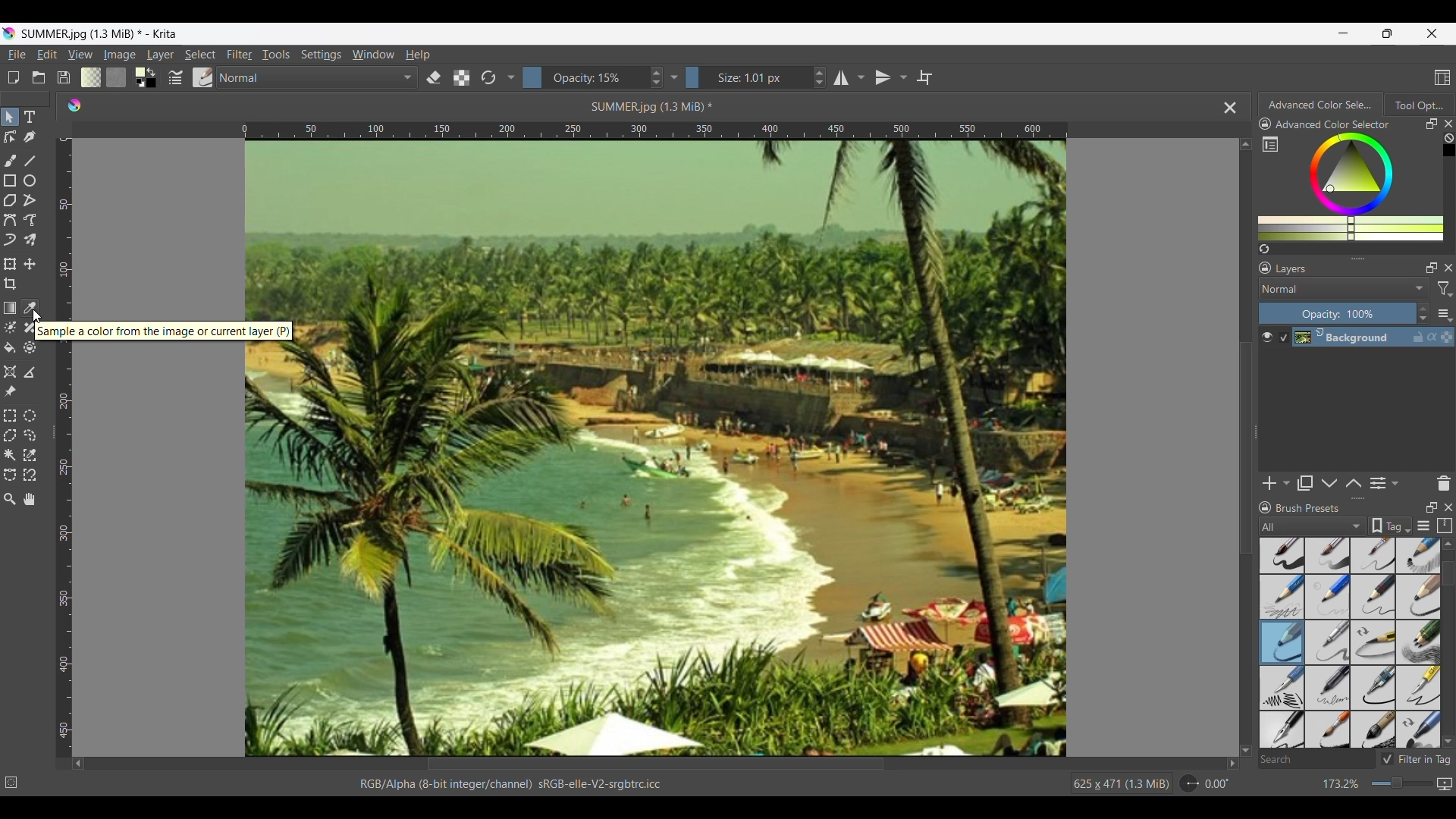 This screenshot has height=819, width=1456. Describe the element at coordinates (1445, 526) in the screenshot. I see `Storage resources` at that location.